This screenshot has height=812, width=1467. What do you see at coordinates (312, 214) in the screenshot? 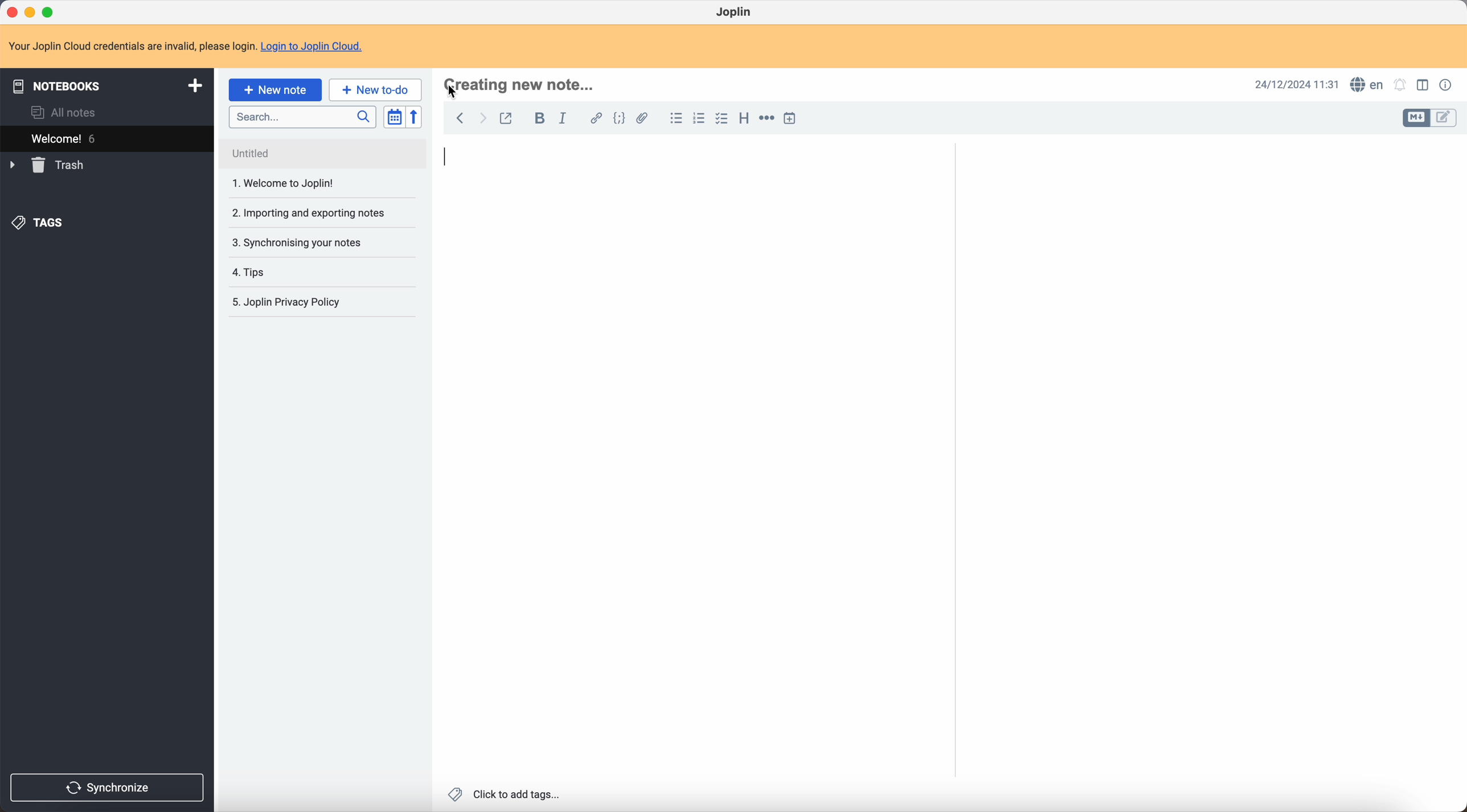
I see `2. Importing and exporting notes` at bounding box center [312, 214].